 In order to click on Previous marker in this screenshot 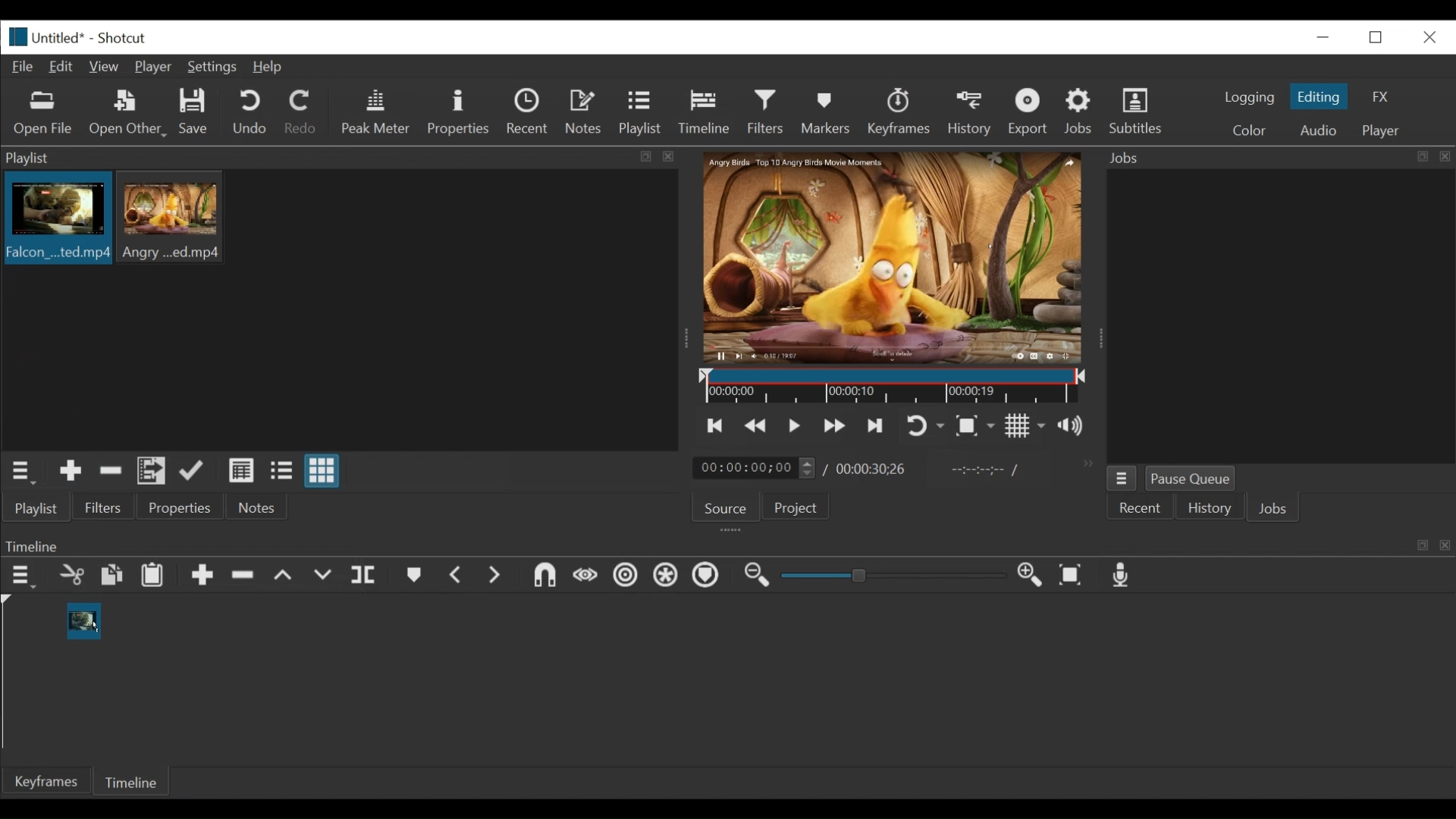, I will do `click(457, 578)`.